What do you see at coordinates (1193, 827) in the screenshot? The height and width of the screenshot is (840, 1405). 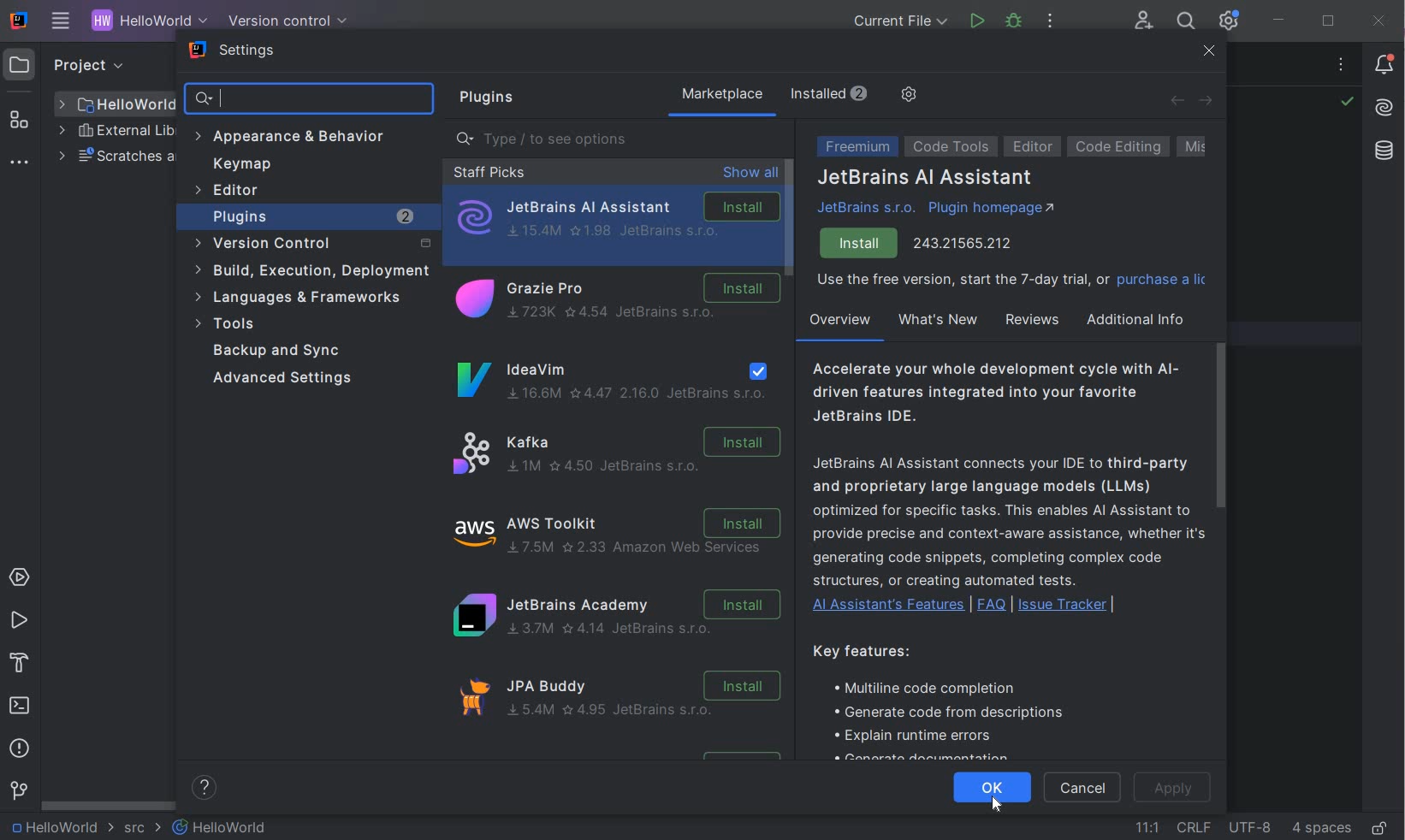 I see `LINE SEPARATOR` at bounding box center [1193, 827].